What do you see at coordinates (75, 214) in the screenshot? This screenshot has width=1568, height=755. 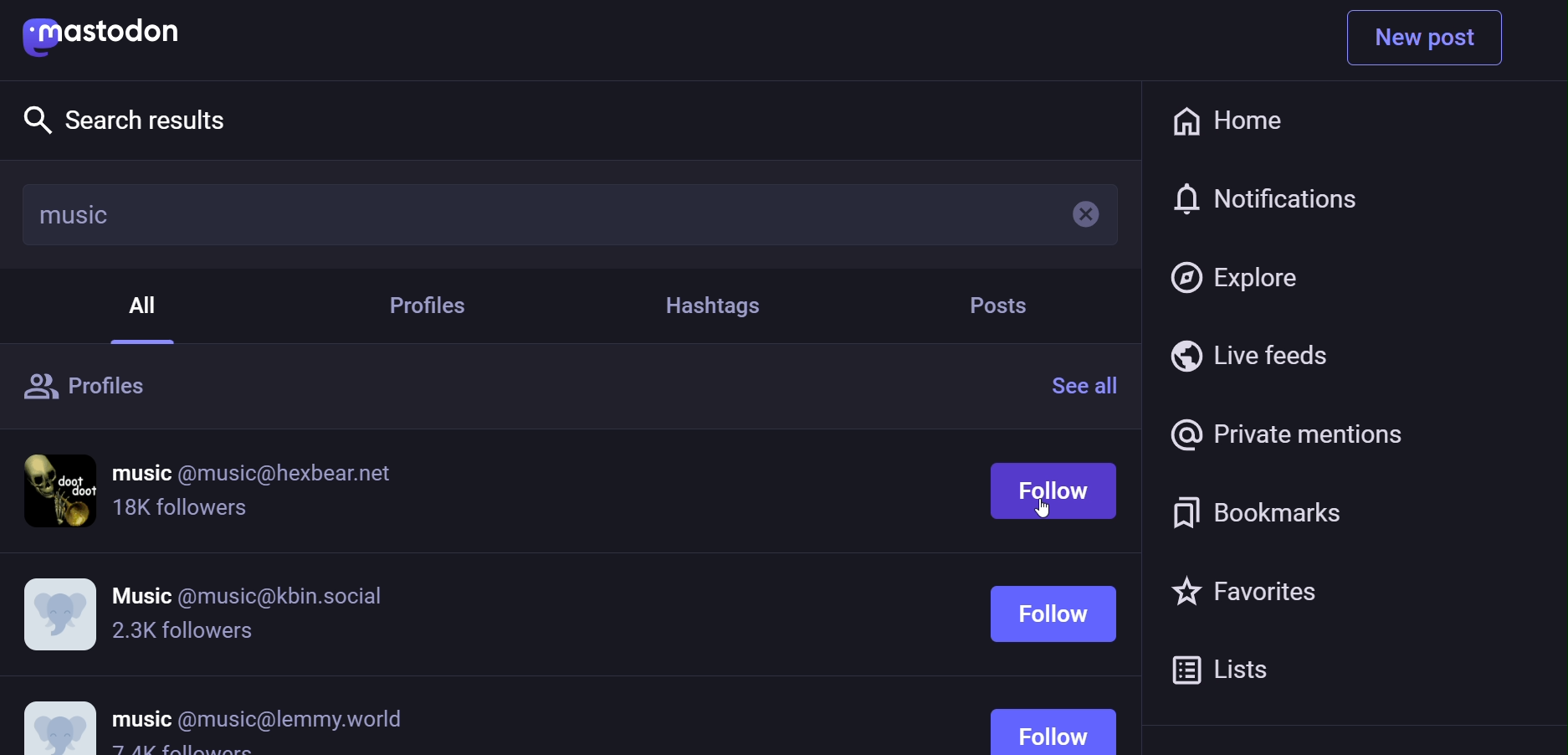 I see `music` at bounding box center [75, 214].